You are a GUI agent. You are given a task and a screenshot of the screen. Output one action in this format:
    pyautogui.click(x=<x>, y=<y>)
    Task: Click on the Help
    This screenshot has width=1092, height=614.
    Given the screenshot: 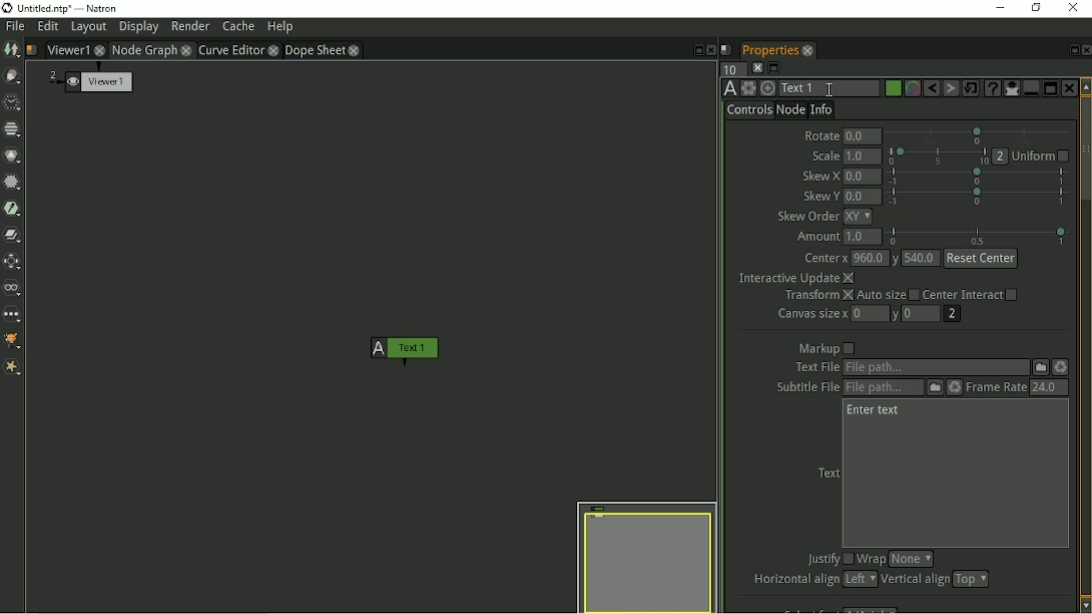 What is the action you would take?
    pyautogui.click(x=280, y=26)
    